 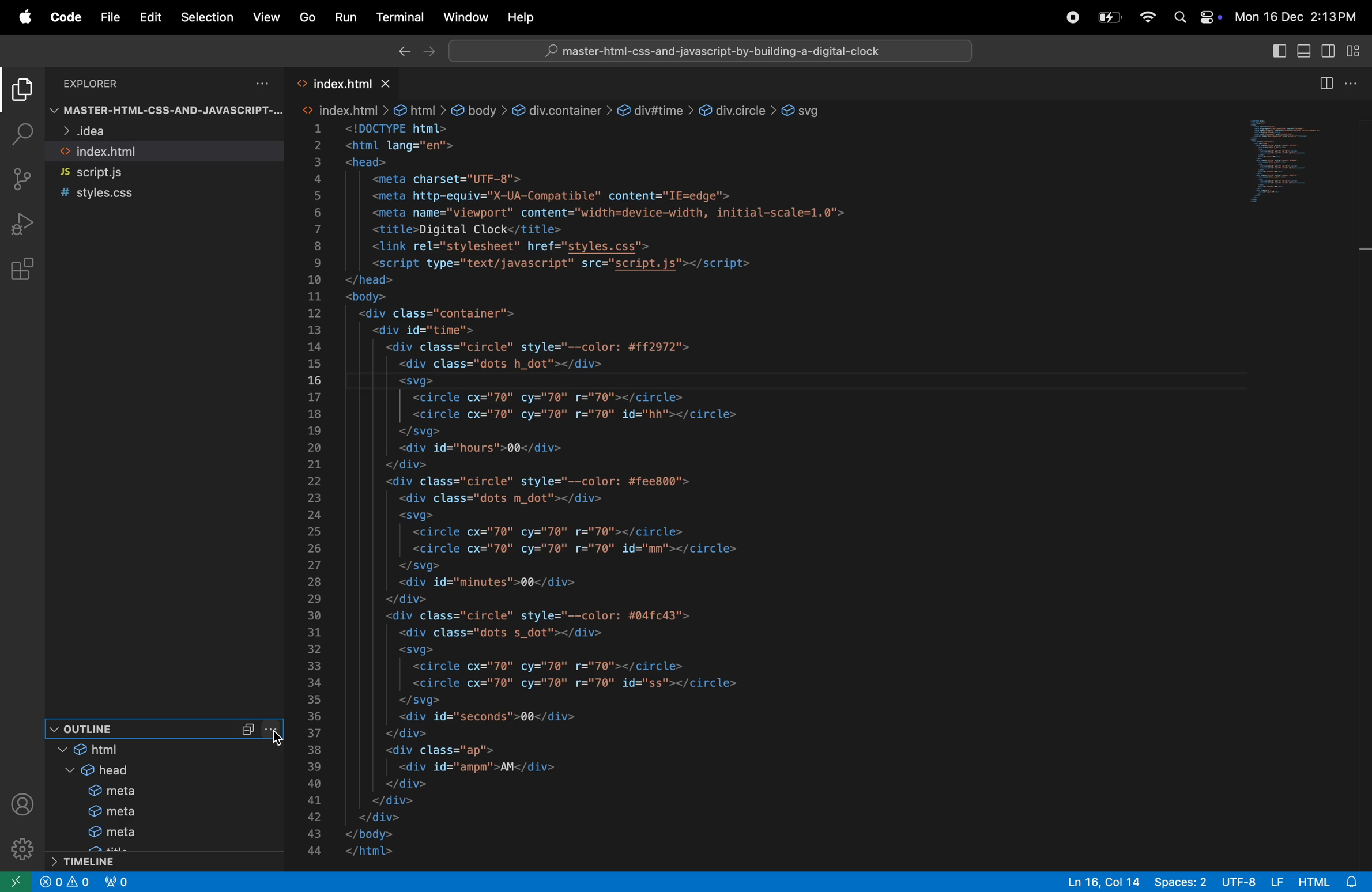 I want to click on options, so click(x=1358, y=83).